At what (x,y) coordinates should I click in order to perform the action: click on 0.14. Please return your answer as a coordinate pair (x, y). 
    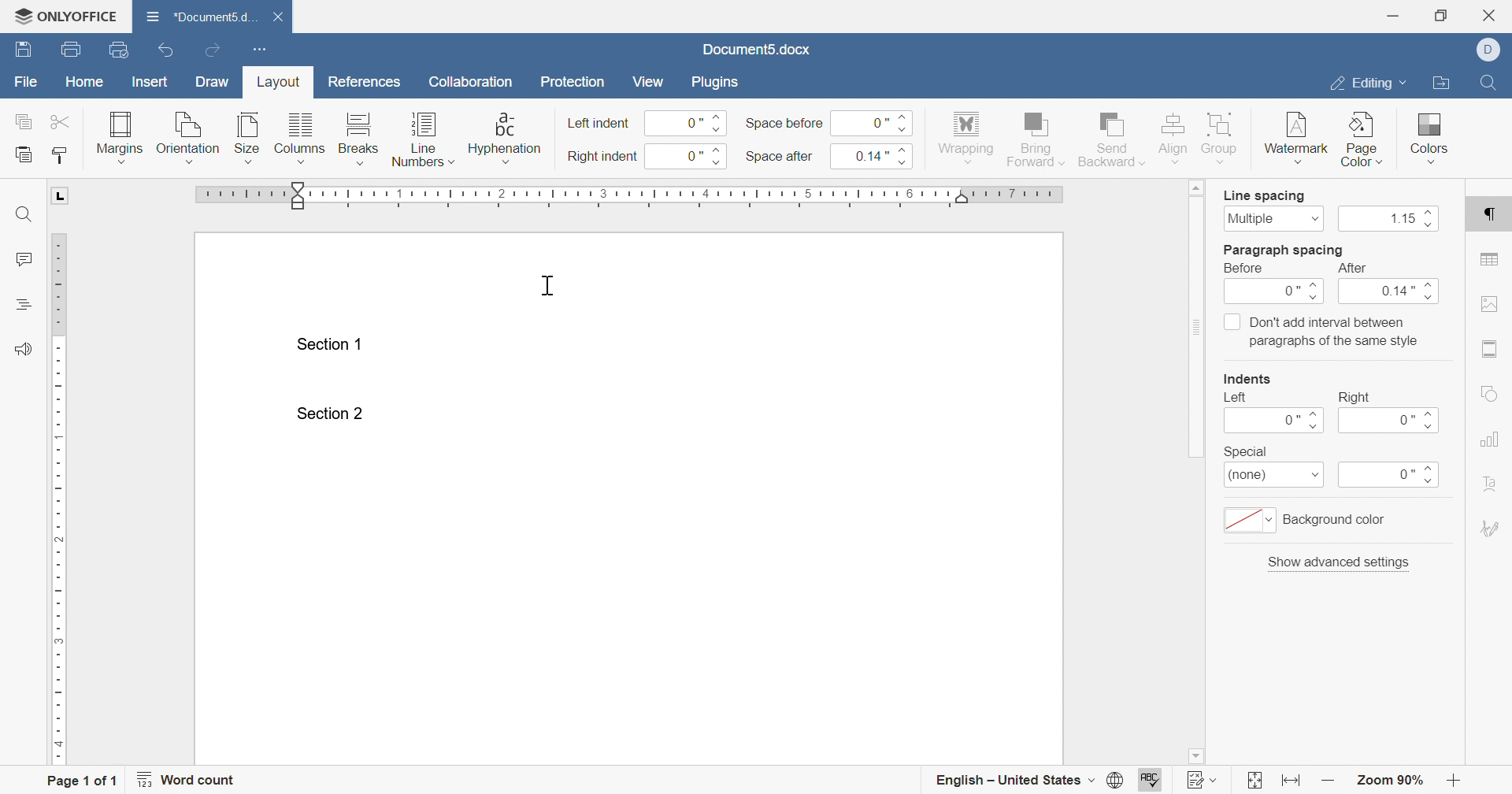
    Looking at the image, I should click on (878, 155).